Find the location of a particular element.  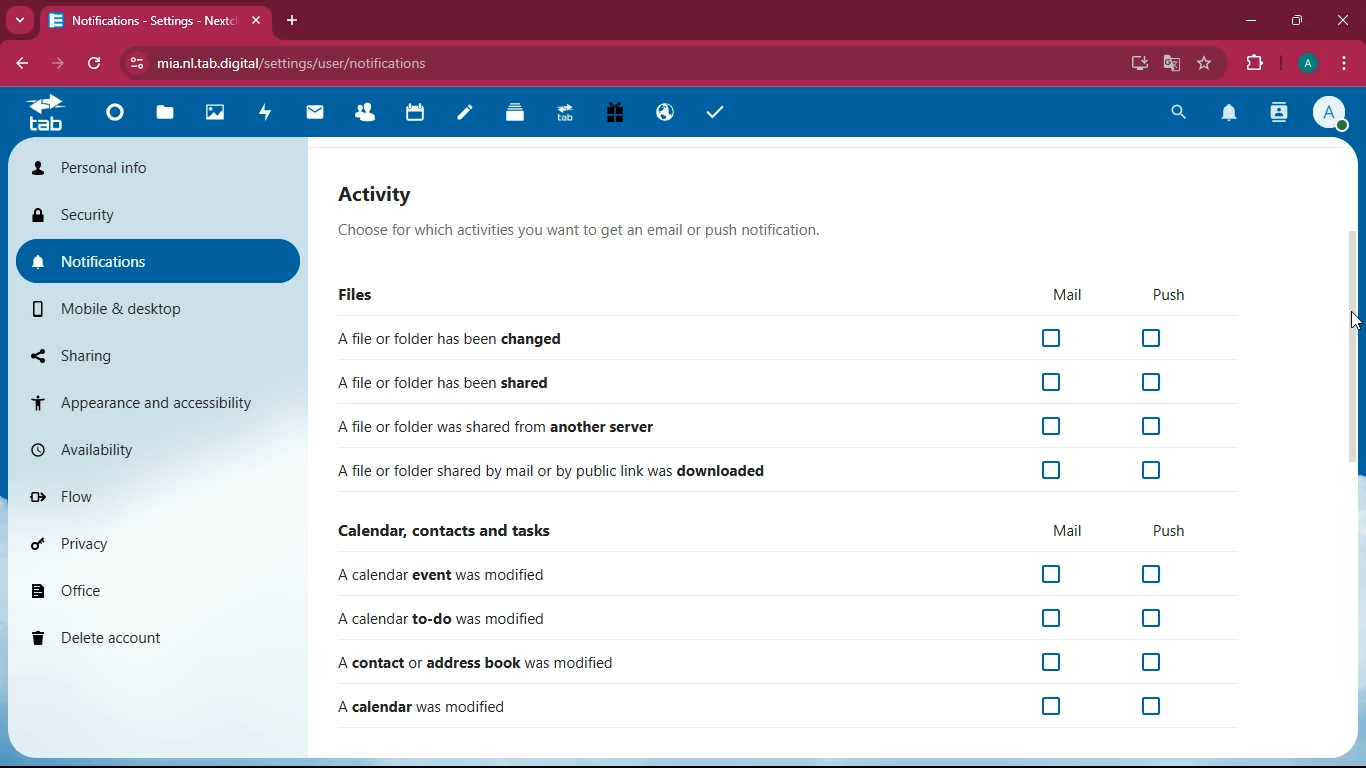

Choose for which activities you want to get an email or push notification. is located at coordinates (616, 231).